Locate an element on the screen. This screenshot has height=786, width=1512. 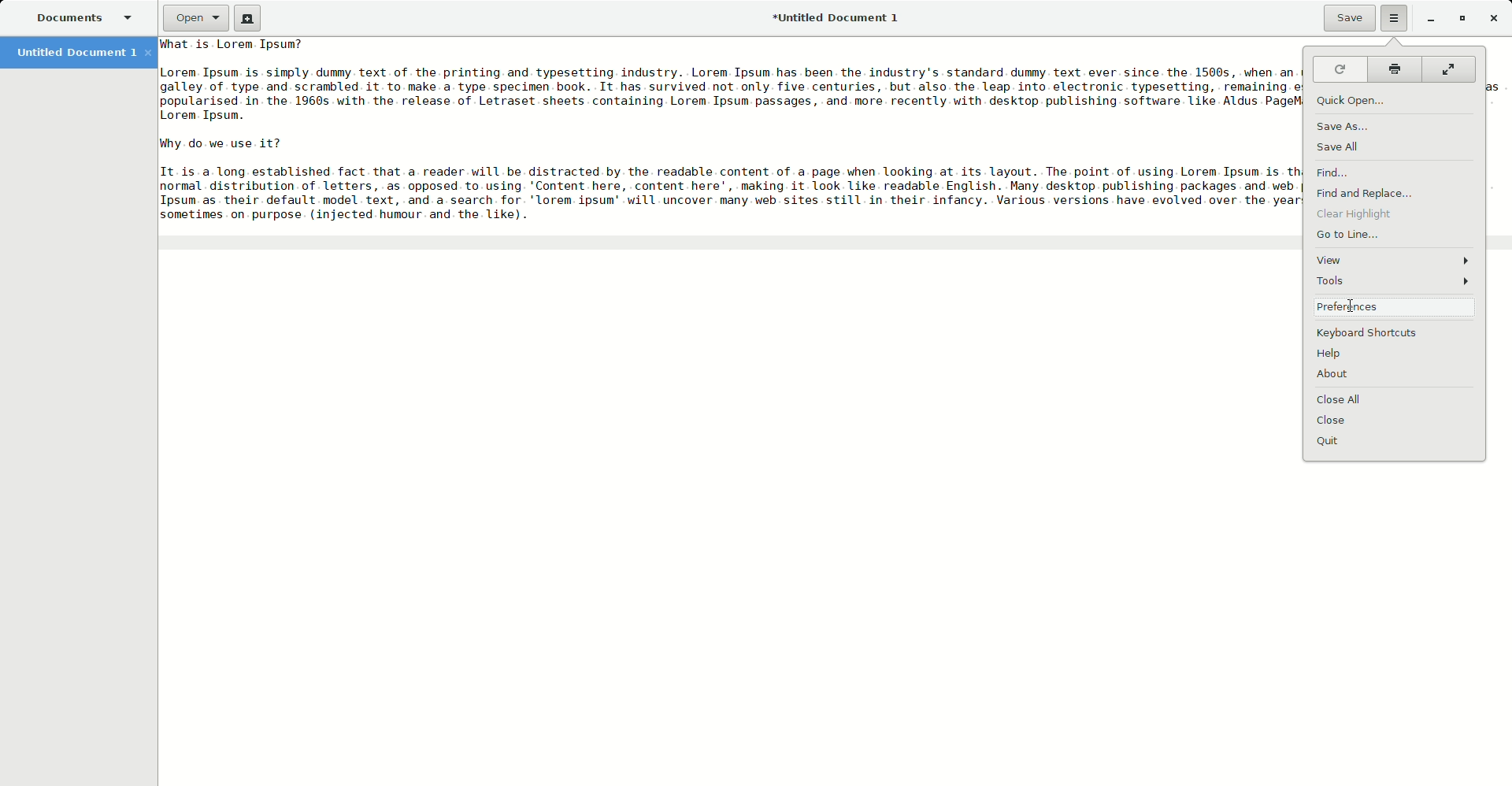
View is located at coordinates (1395, 259).